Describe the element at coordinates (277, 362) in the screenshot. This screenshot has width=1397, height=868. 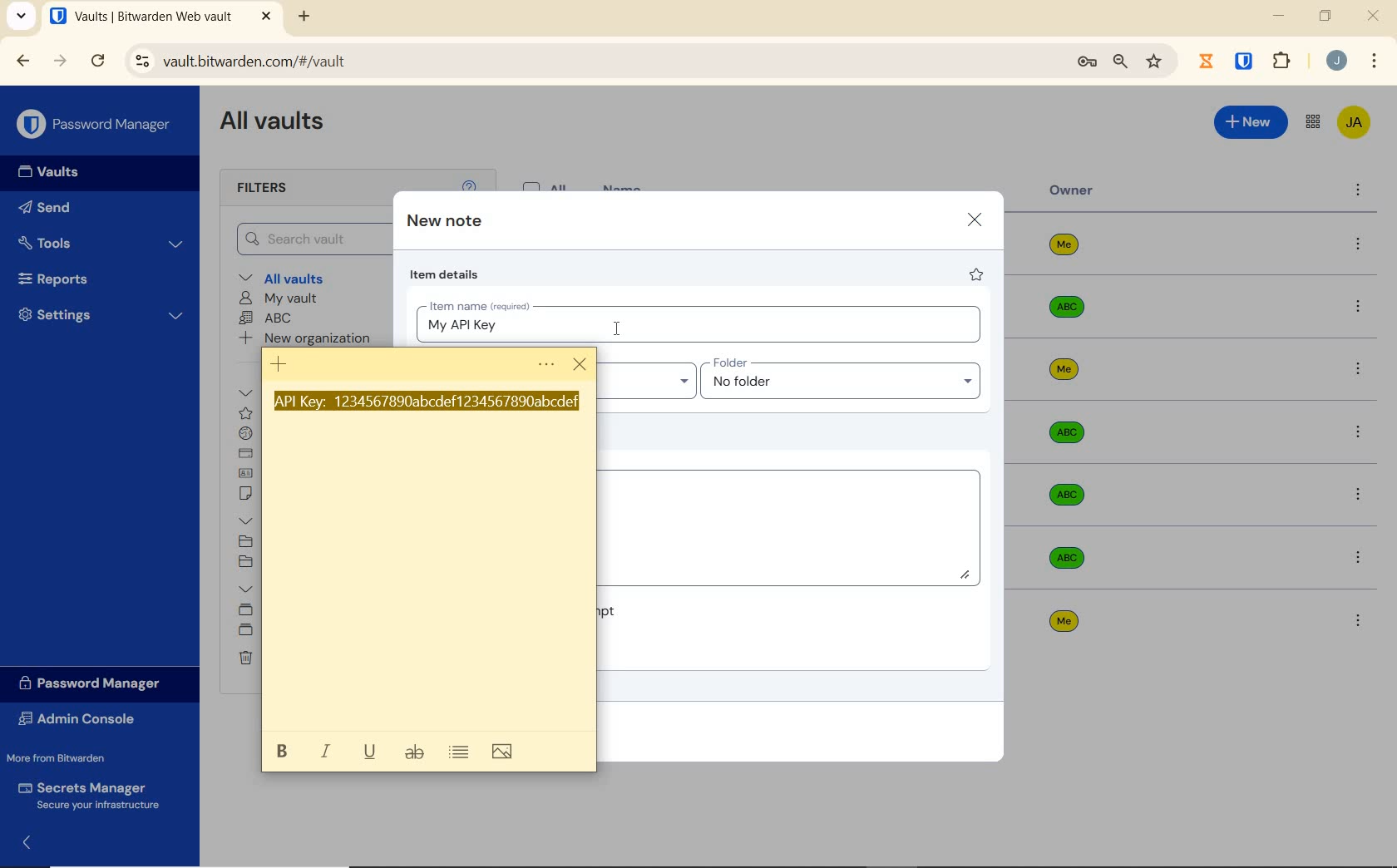
I see `New note` at that location.